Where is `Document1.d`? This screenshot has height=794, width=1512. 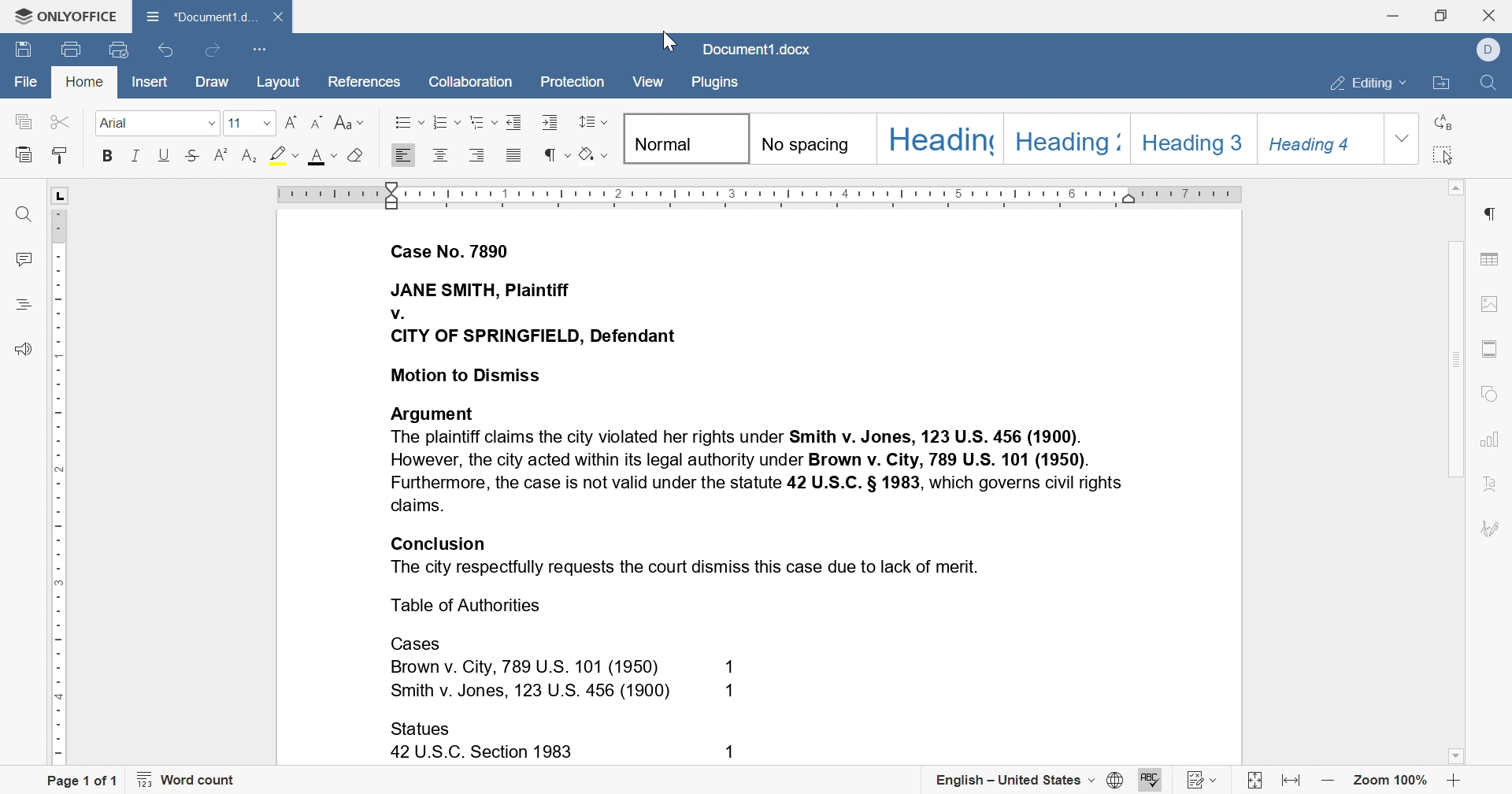
Document1.d is located at coordinates (199, 14).